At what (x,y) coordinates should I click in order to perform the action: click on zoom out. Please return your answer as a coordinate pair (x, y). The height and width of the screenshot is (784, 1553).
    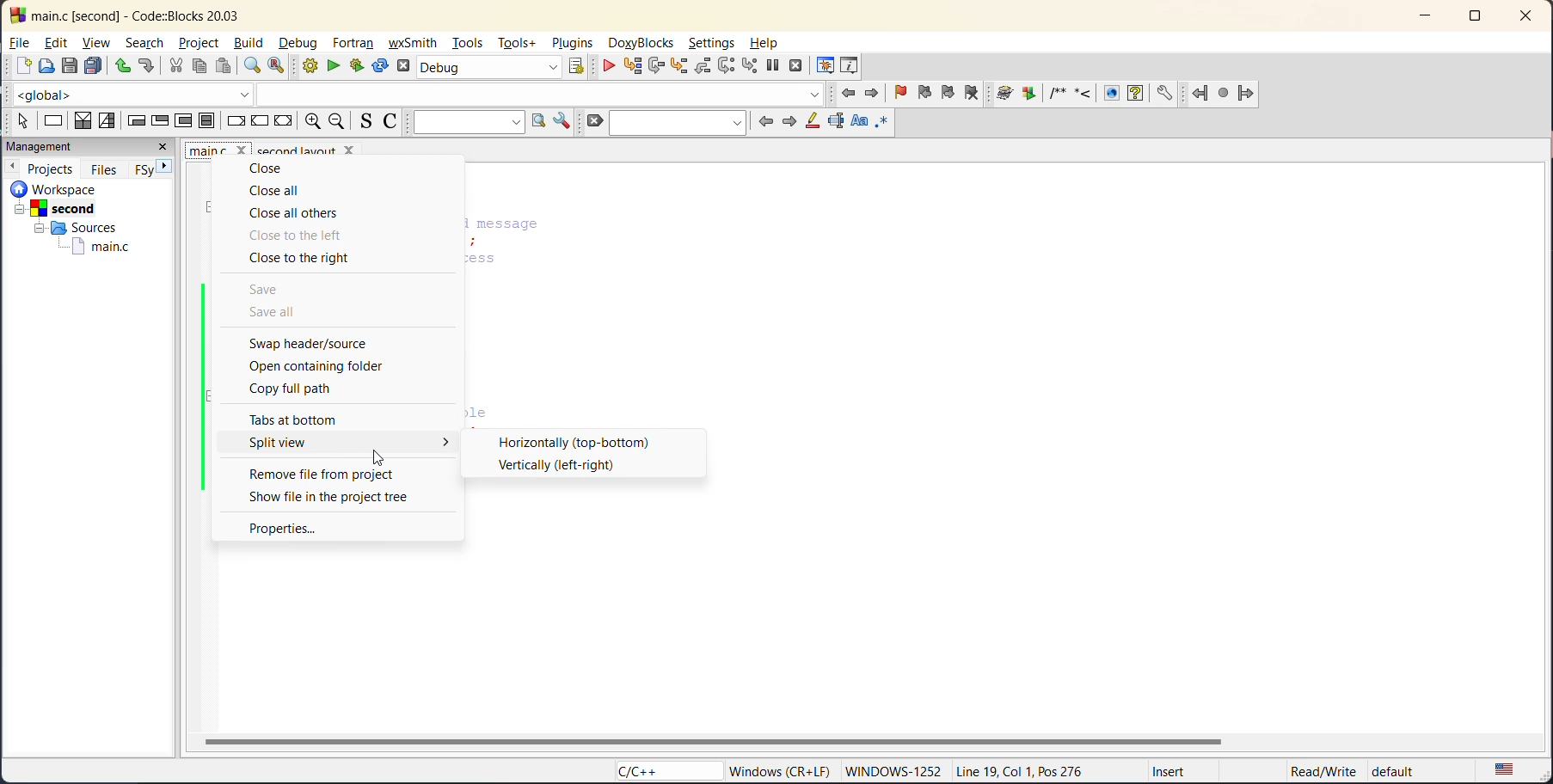
    Looking at the image, I should click on (336, 121).